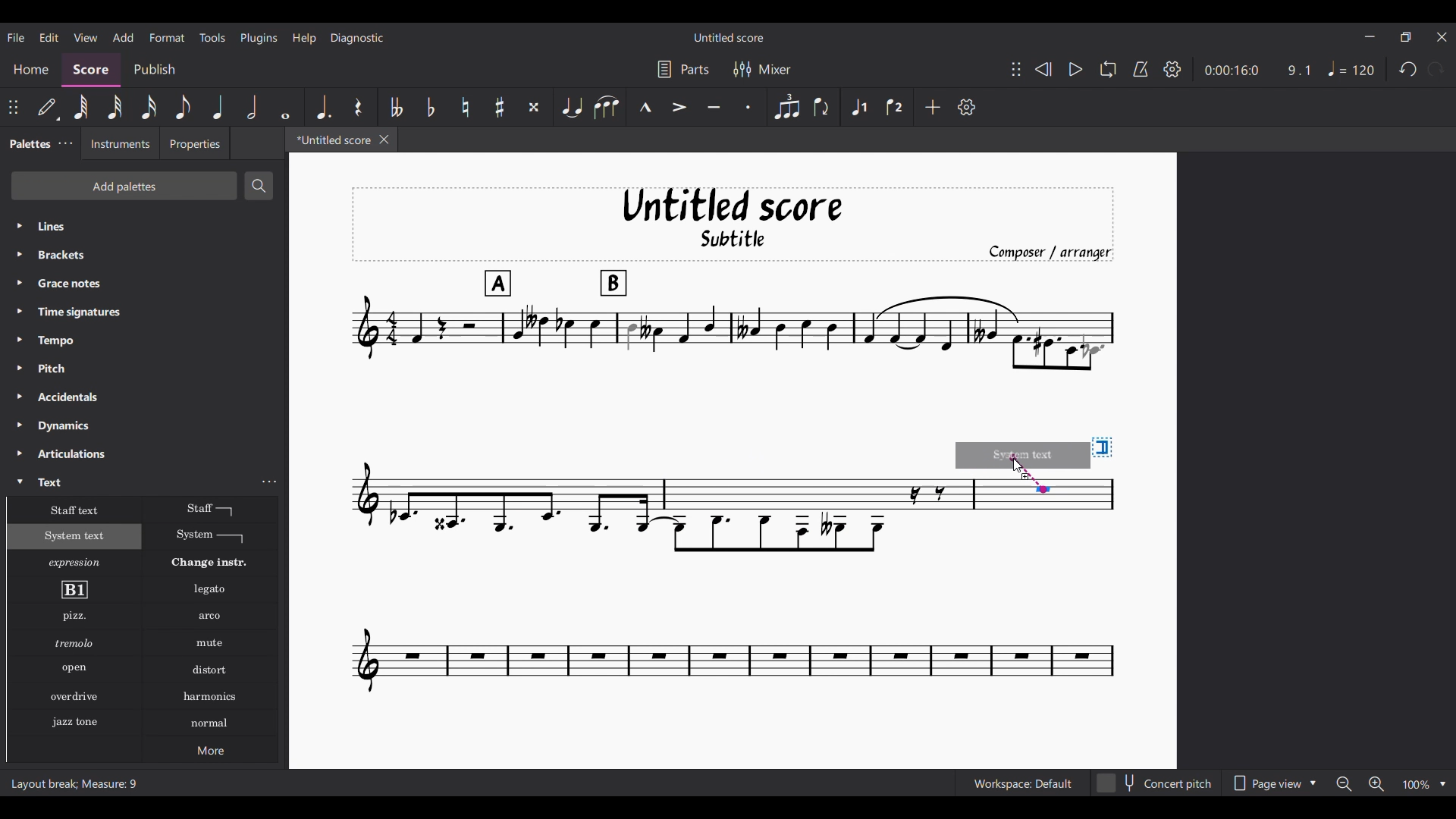  What do you see at coordinates (1376, 783) in the screenshot?
I see `Zoom in` at bounding box center [1376, 783].